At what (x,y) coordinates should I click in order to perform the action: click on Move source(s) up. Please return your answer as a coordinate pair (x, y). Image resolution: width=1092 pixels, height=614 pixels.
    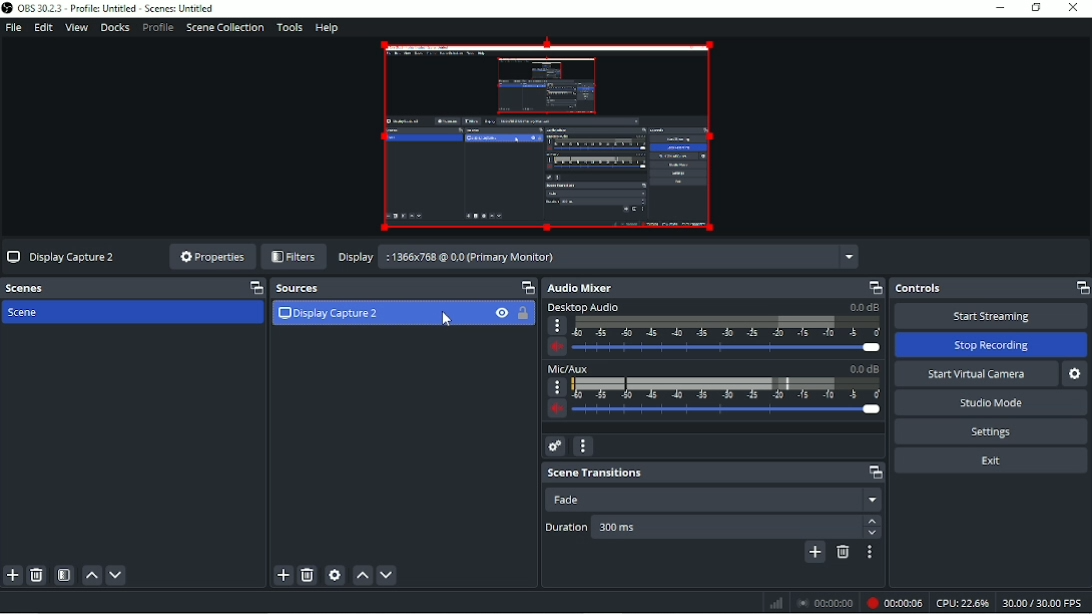
    Looking at the image, I should click on (363, 575).